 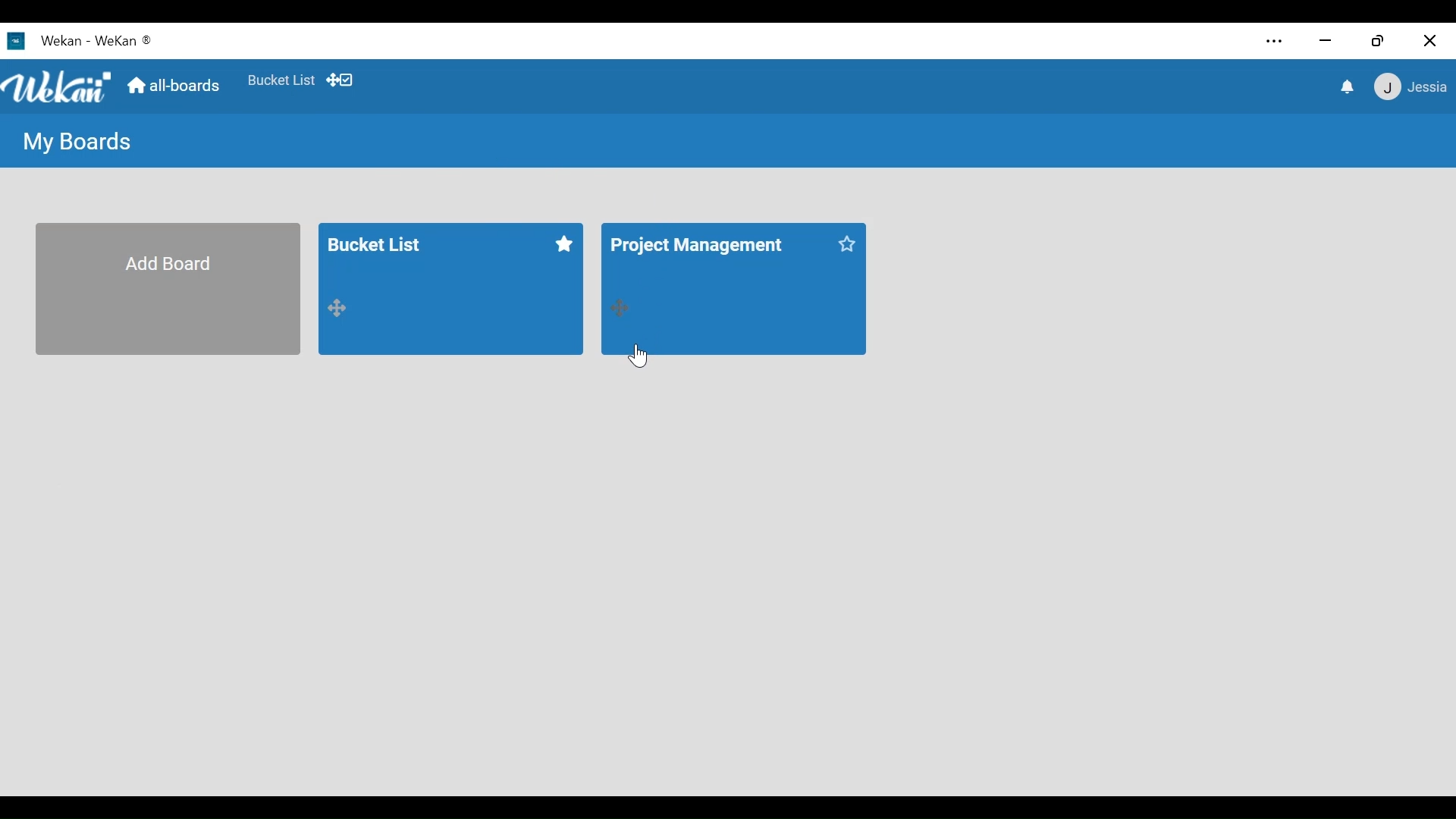 I want to click on Show desktop drag handles, so click(x=342, y=80).